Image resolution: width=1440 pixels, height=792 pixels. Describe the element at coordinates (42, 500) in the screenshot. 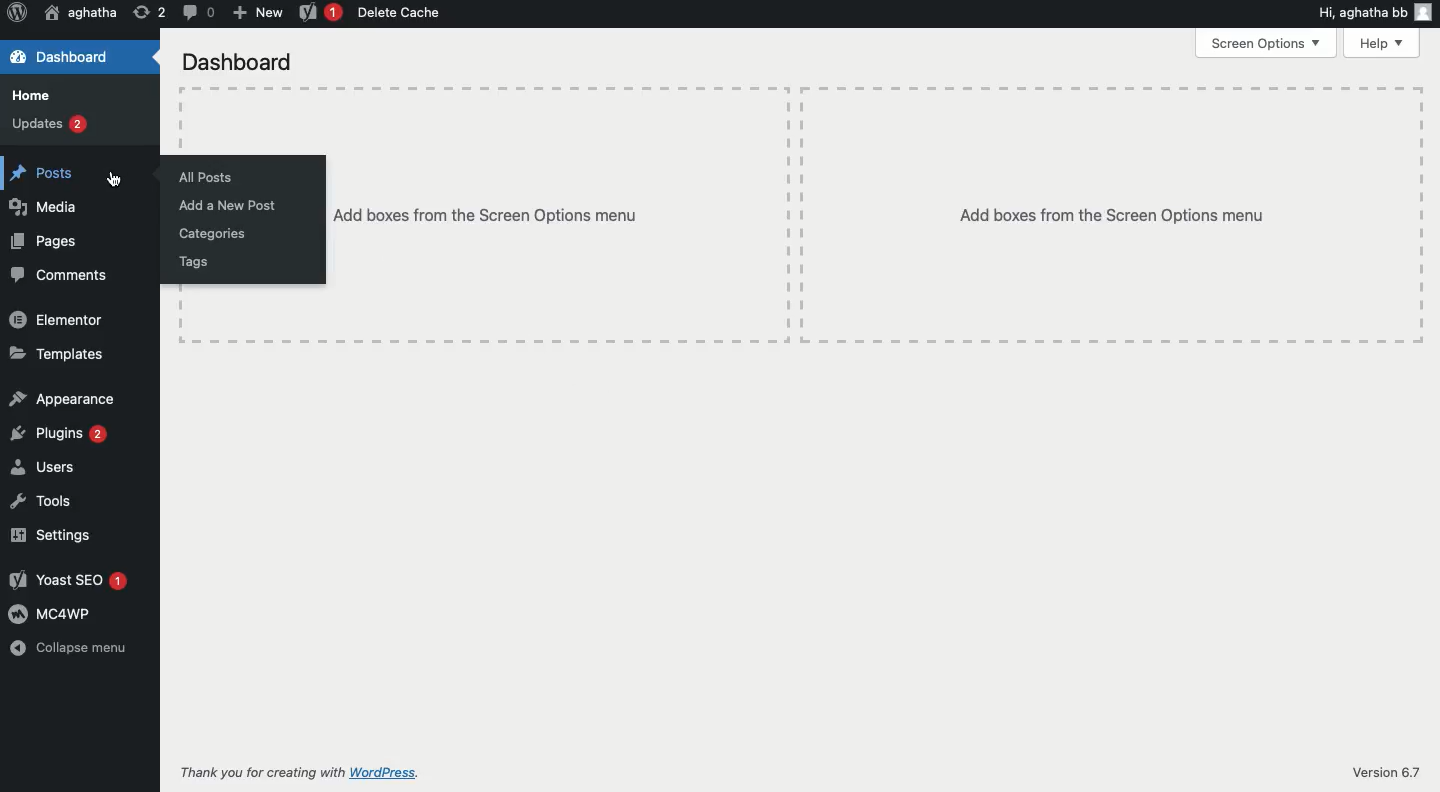

I see `Tools` at that location.